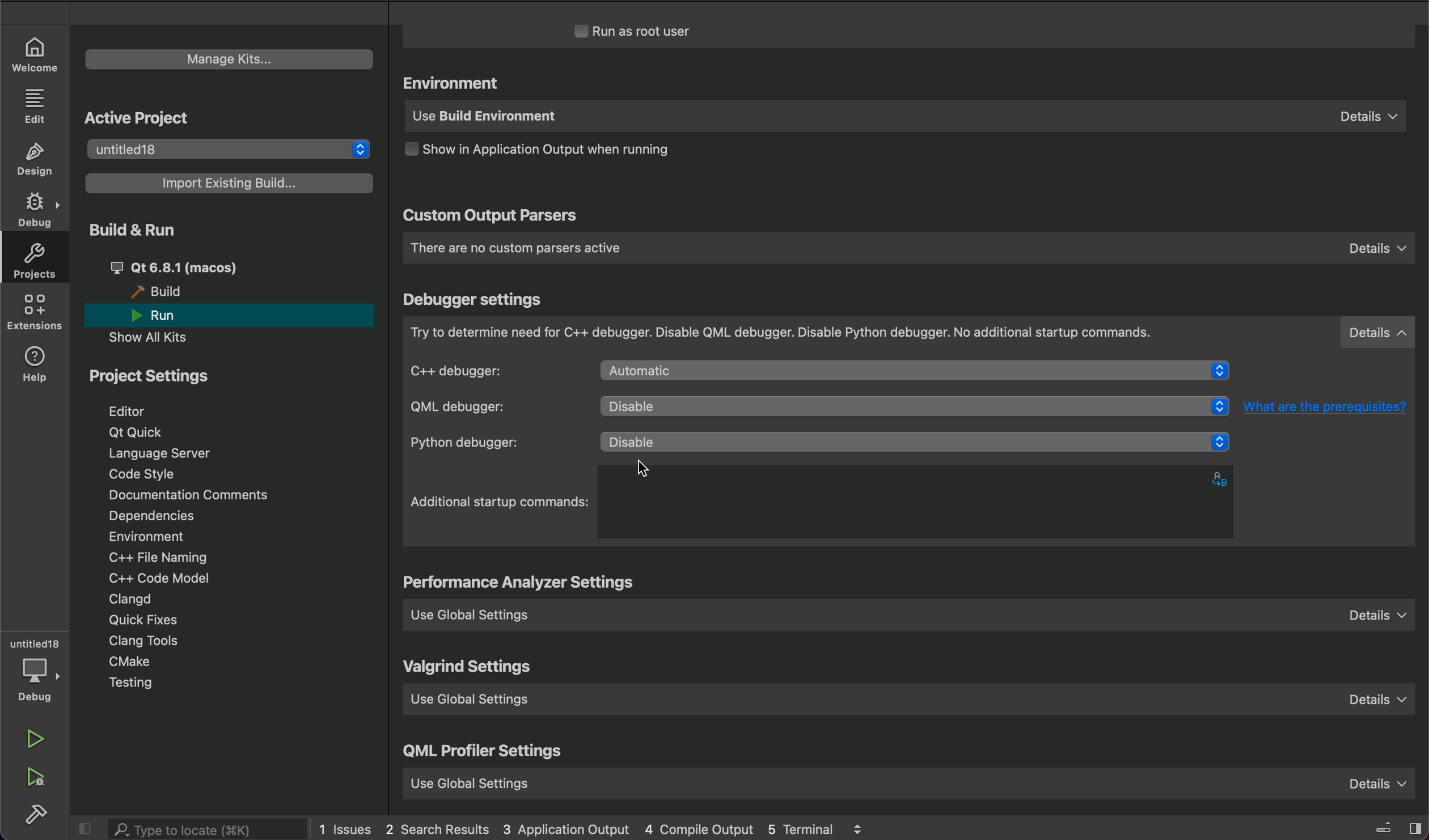 The image size is (1429, 840). Describe the element at coordinates (157, 337) in the screenshot. I see `show all` at that location.